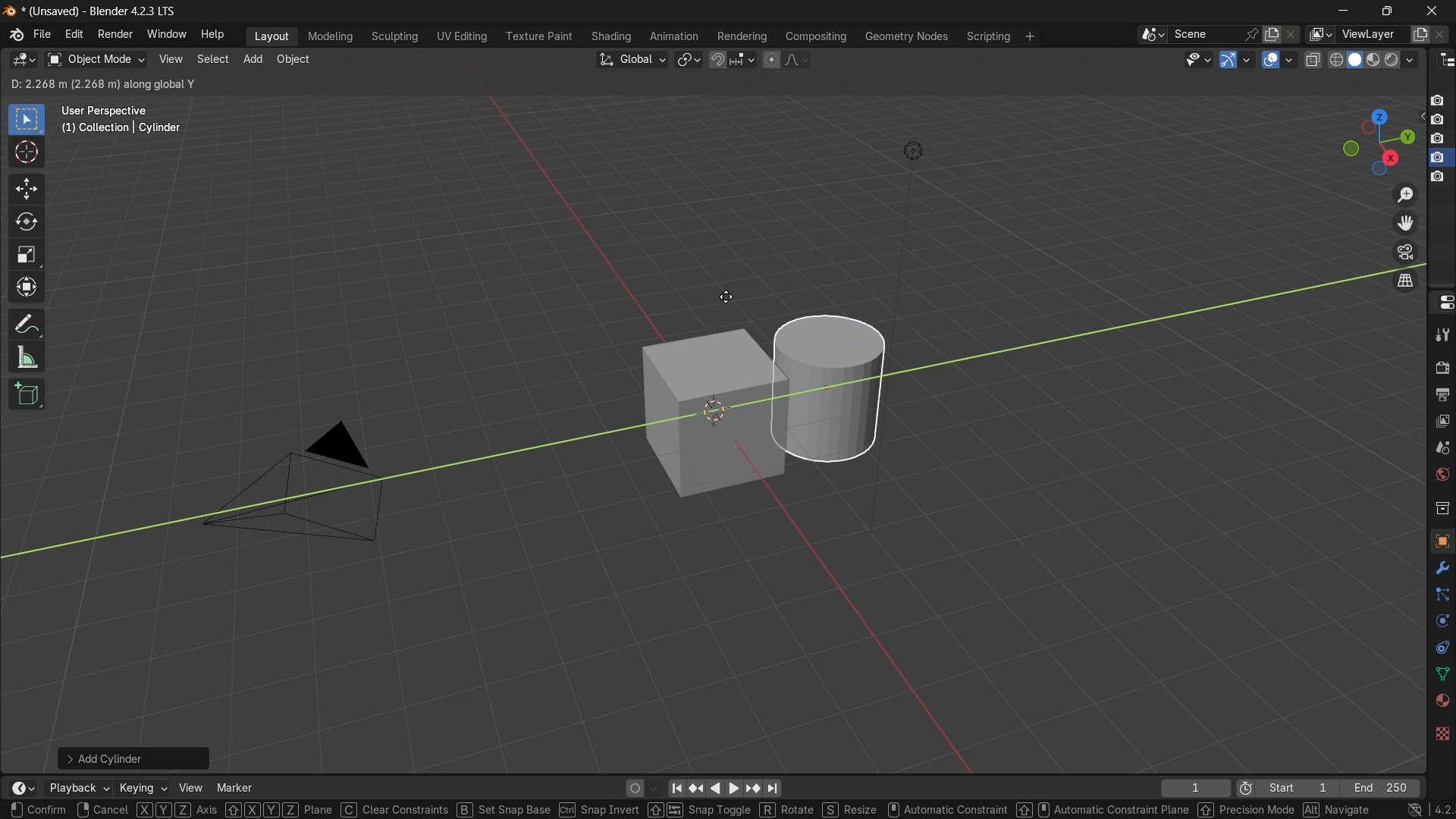  What do you see at coordinates (540, 36) in the screenshot?
I see `texture paint menu` at bounding box center [540, 36].